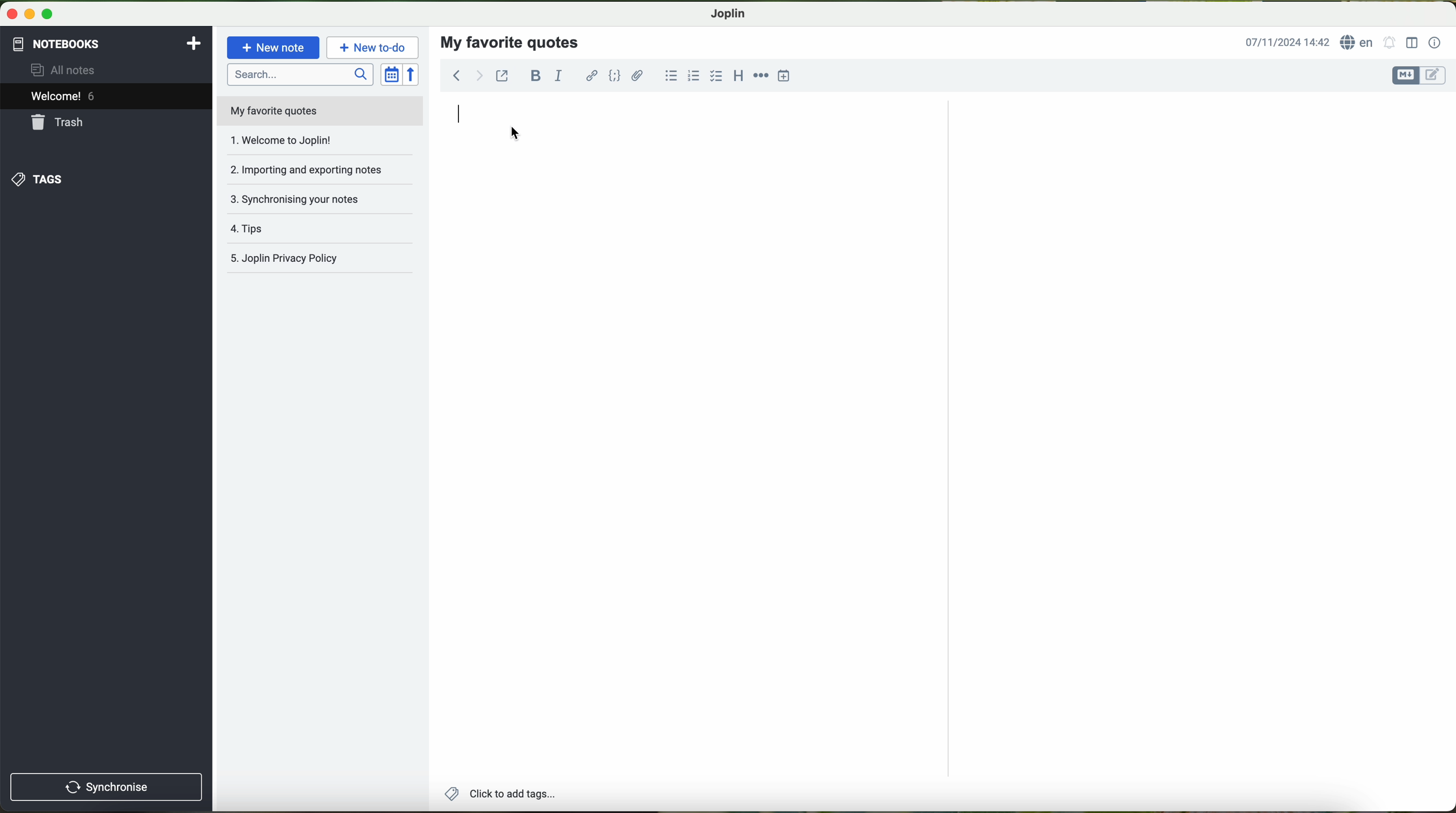 This screenshot has width=1456, height=813. I want to click on horizontal rule, so click(761, 76).